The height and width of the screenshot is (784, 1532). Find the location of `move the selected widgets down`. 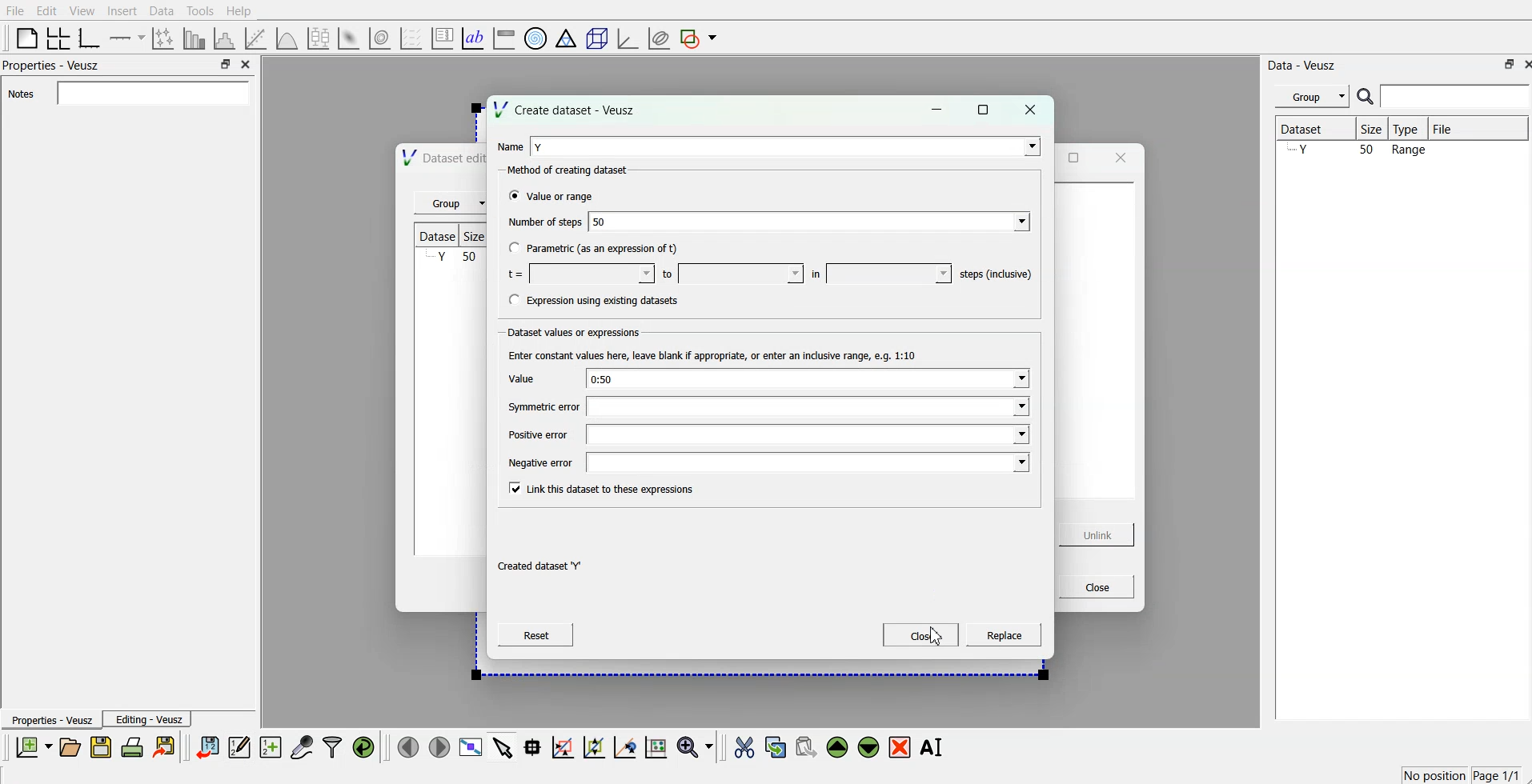

move the selected widgets down is located at coordinates (868, 747).